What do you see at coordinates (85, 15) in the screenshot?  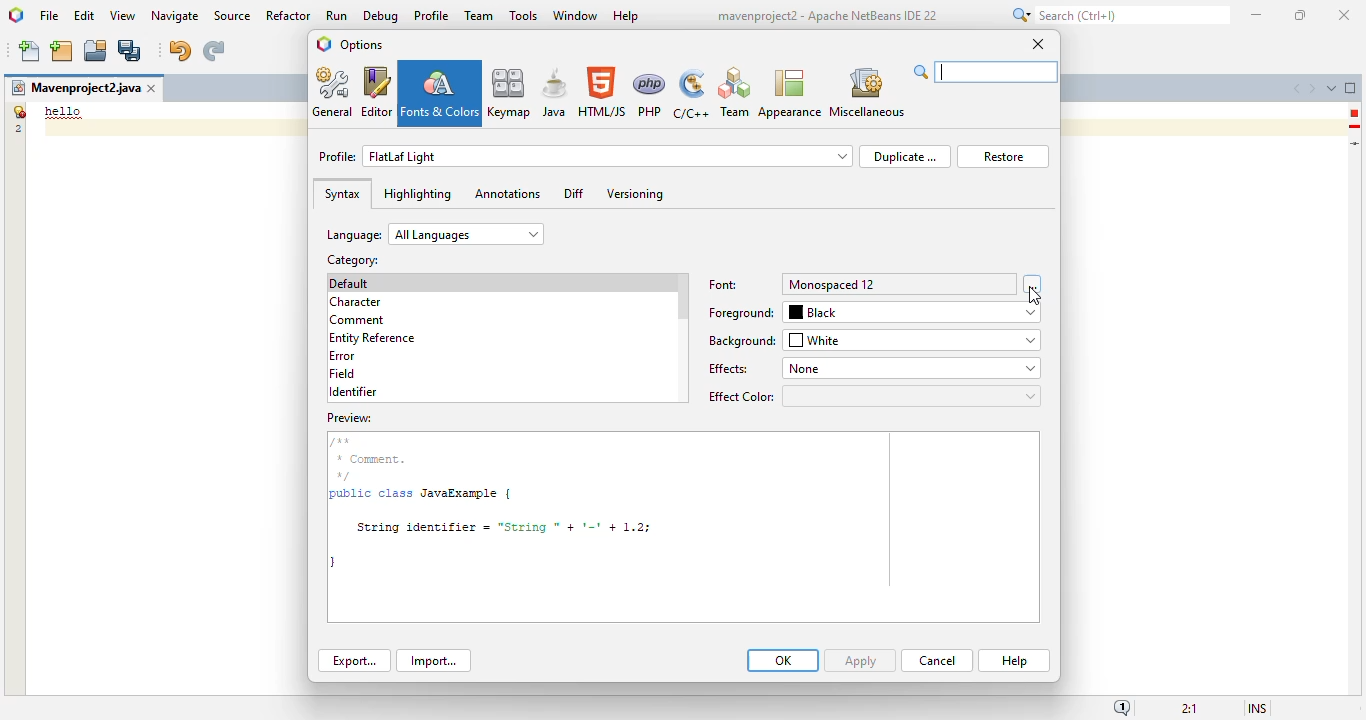 I see `edit` at bounding box center [85, 15].